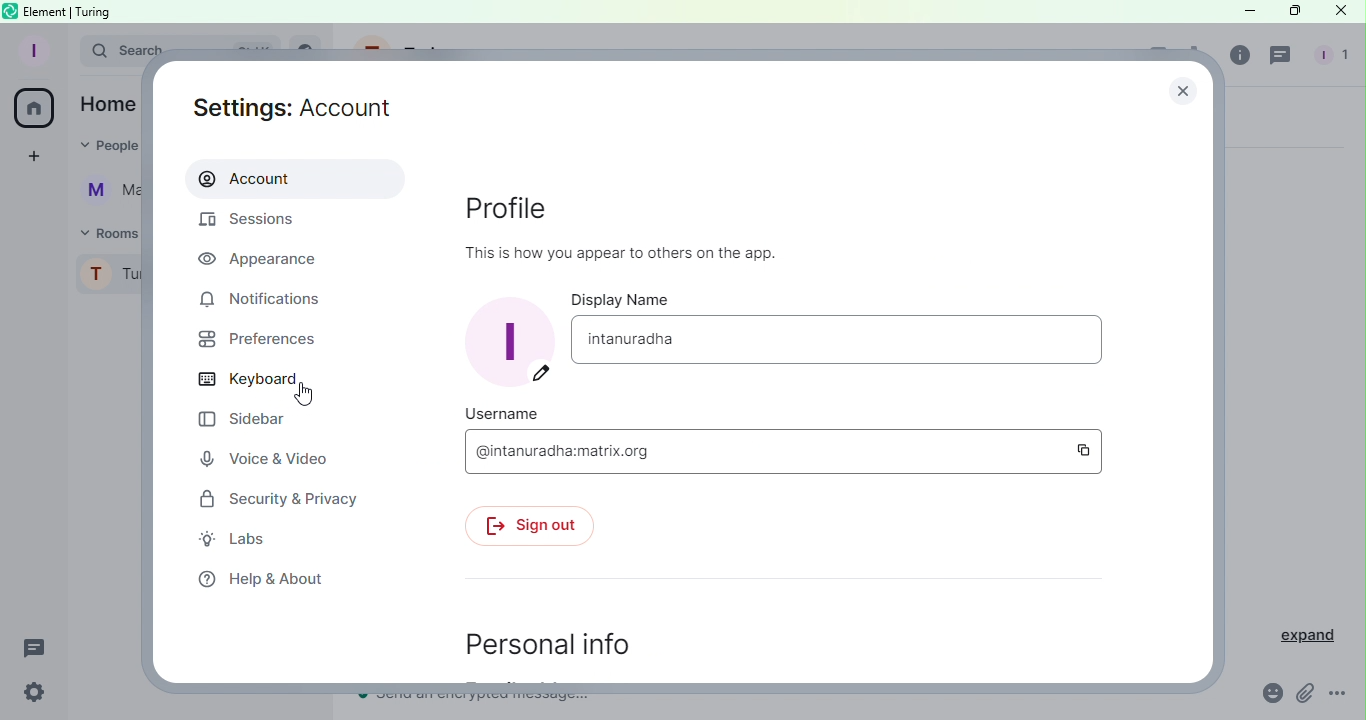 Image resolution: width=1366 pixels, height=720 pixels. Describe the element at coordinates (1270, 693) in the screenshot. I see `Emoji` at that location.